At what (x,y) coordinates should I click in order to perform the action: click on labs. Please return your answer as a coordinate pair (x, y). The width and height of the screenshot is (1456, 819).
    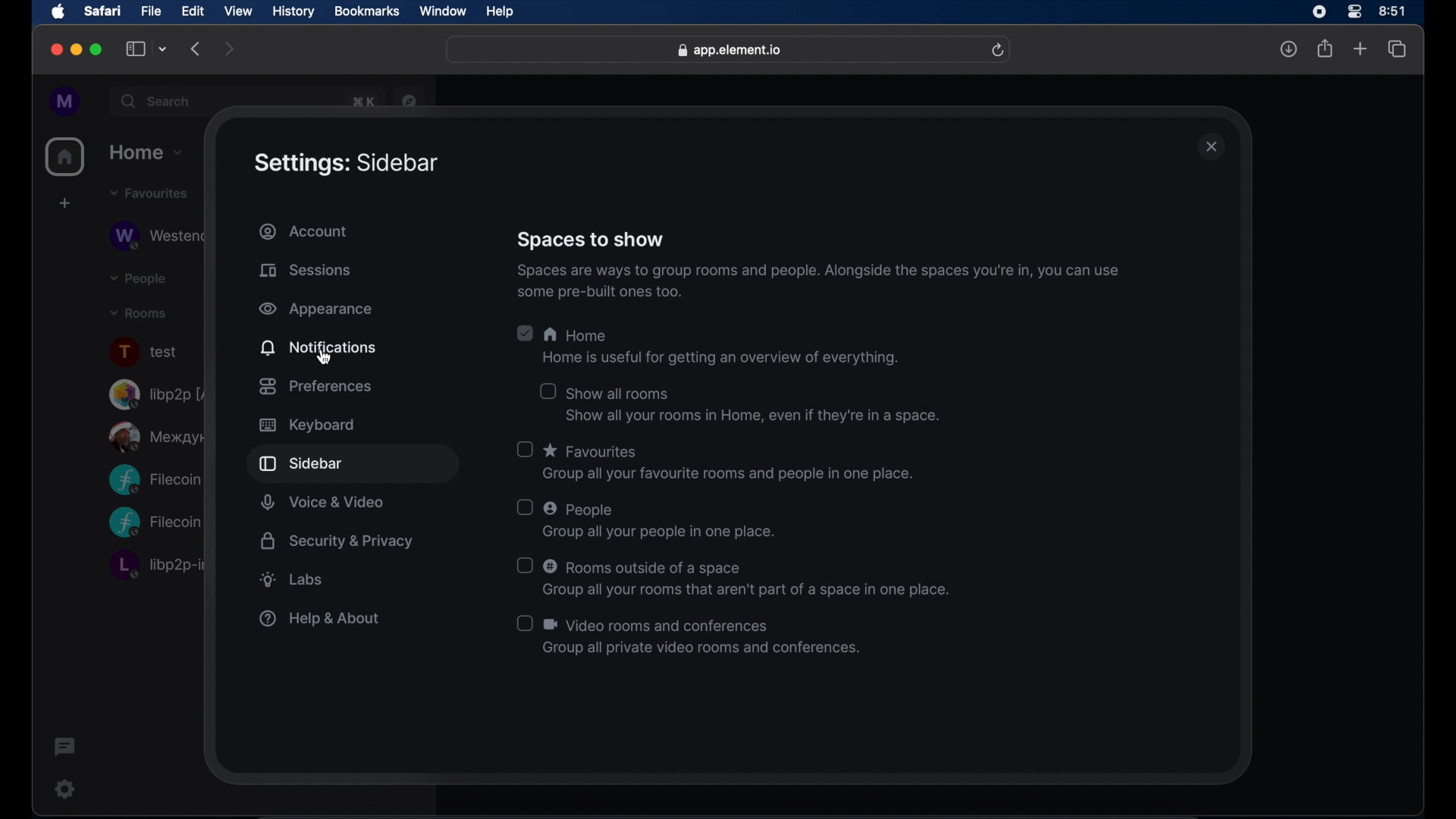
    Looking at the image, I should click on (293, 579).